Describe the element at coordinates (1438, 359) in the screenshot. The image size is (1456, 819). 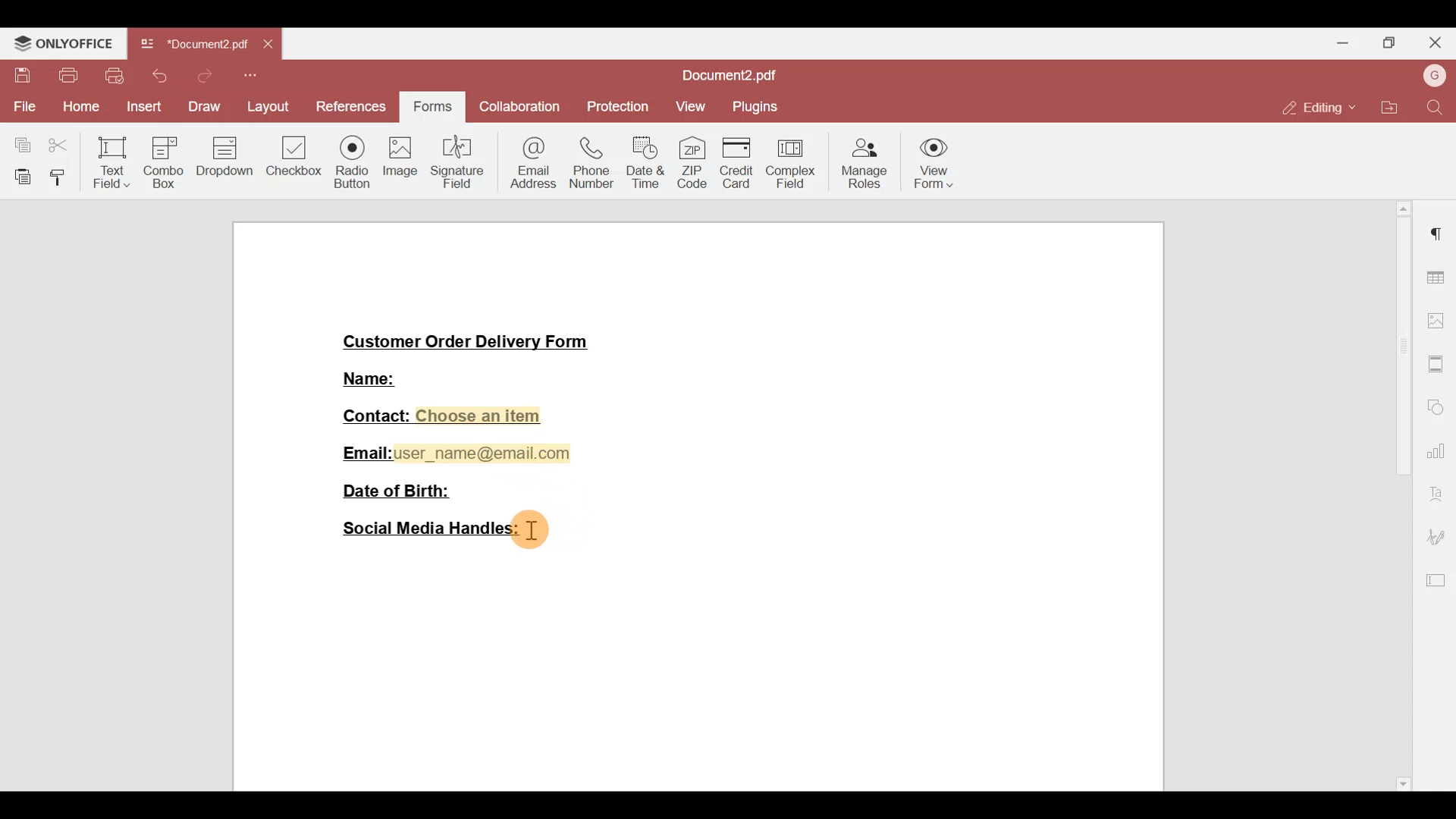
I see `More settings` at that location.